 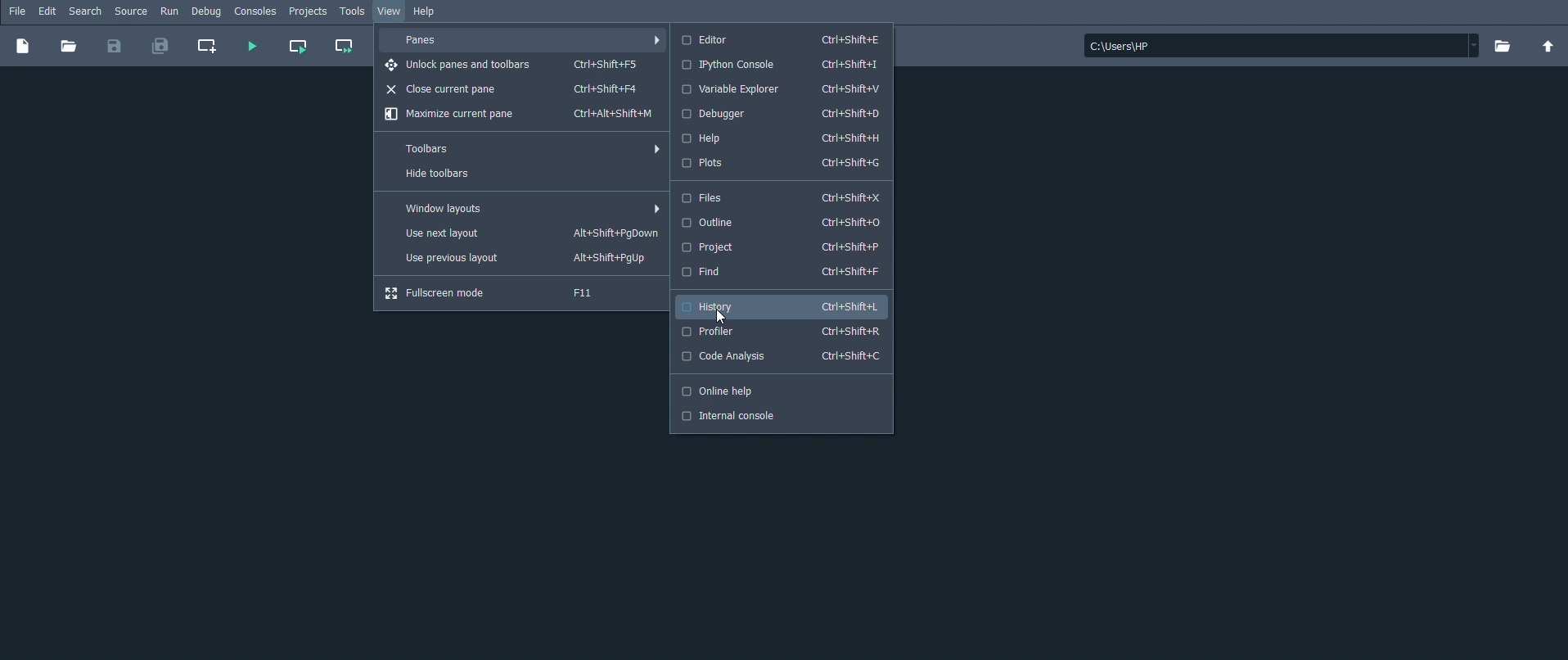 I want to click on Consoles, so click(x=256, y=11).